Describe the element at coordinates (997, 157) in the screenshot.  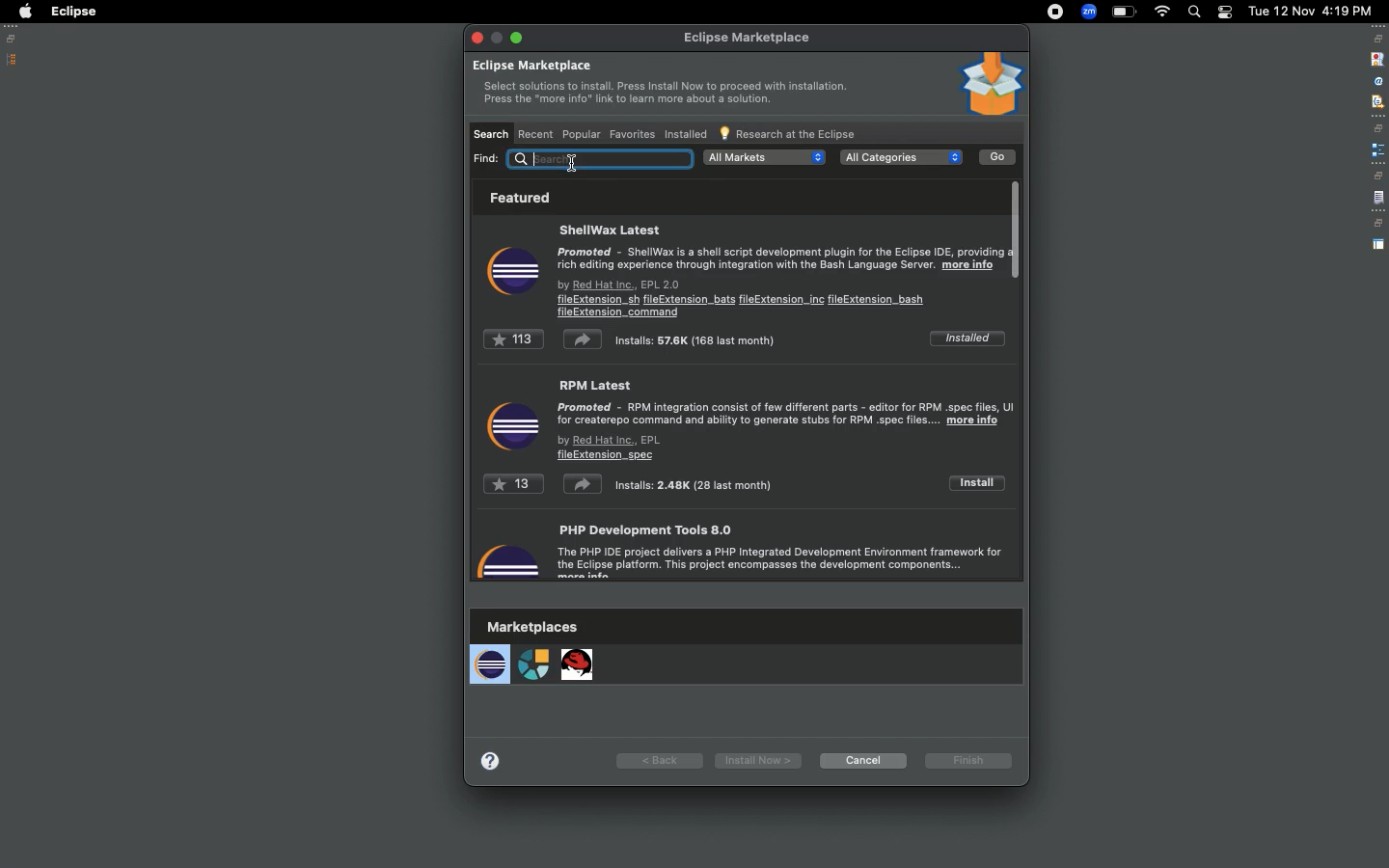
I see `go` at that location.